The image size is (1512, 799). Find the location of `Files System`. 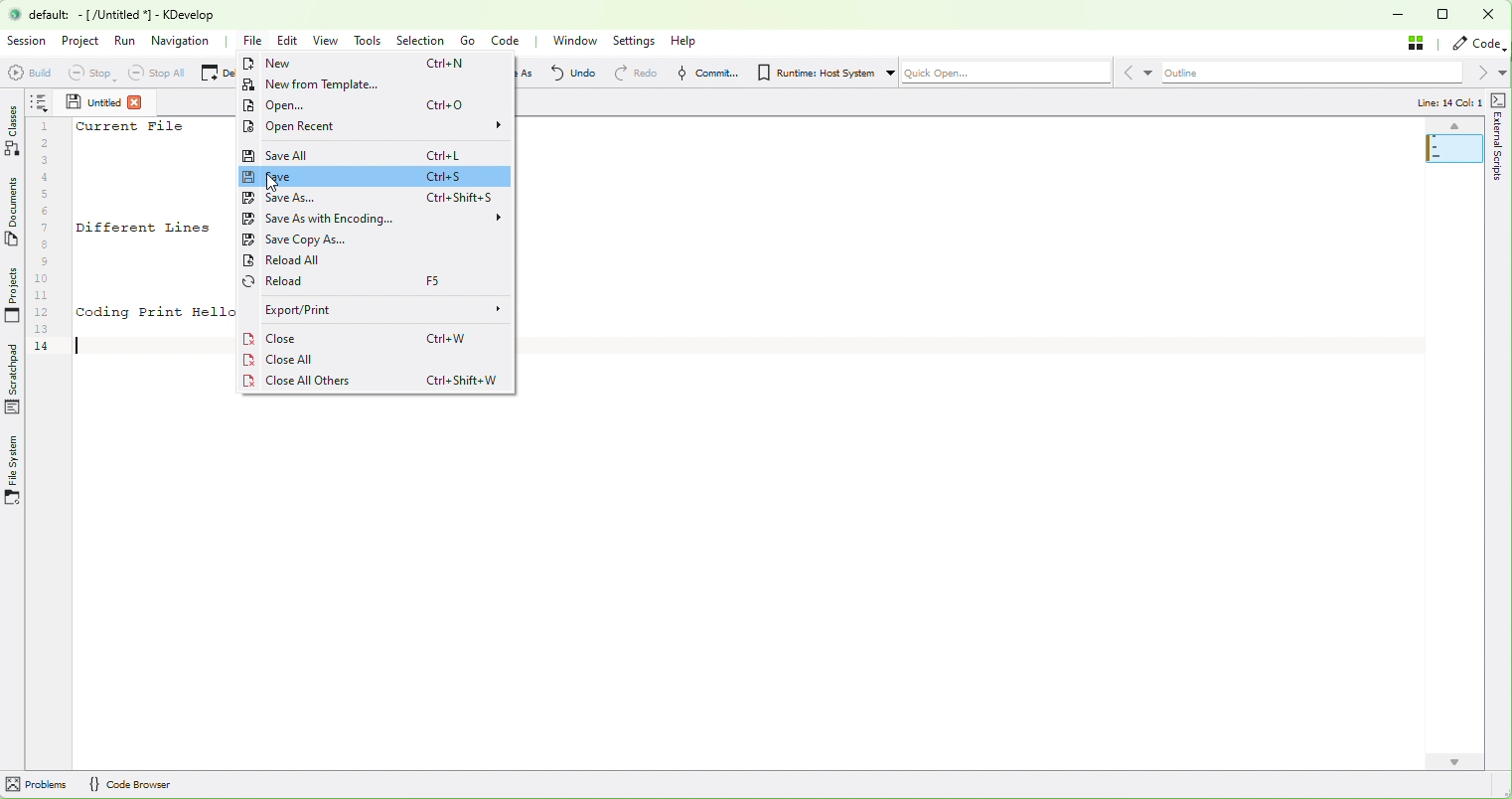

Files System is located at coordinates (14, 472).